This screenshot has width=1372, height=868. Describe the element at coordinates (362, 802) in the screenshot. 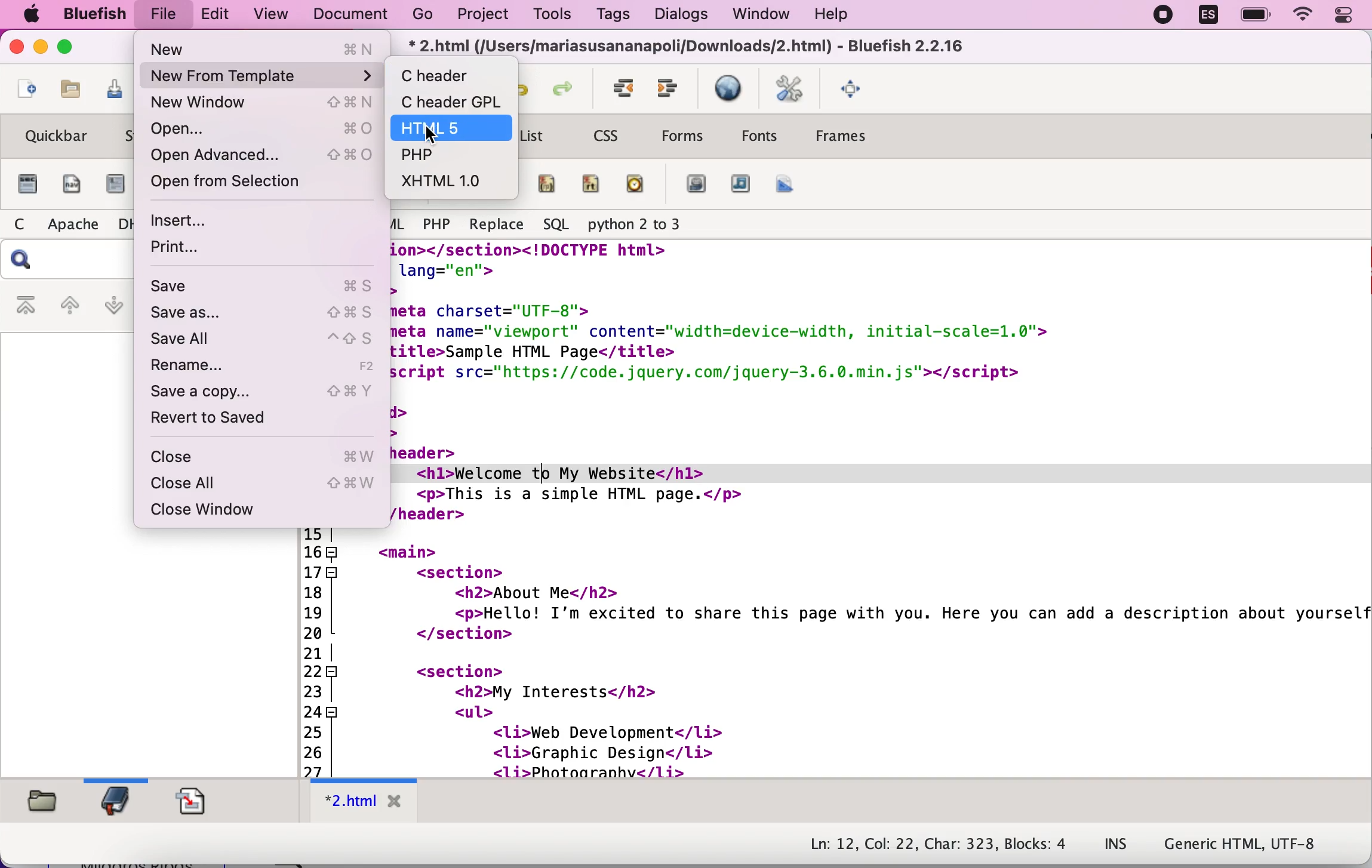

I see `tab` at that location.